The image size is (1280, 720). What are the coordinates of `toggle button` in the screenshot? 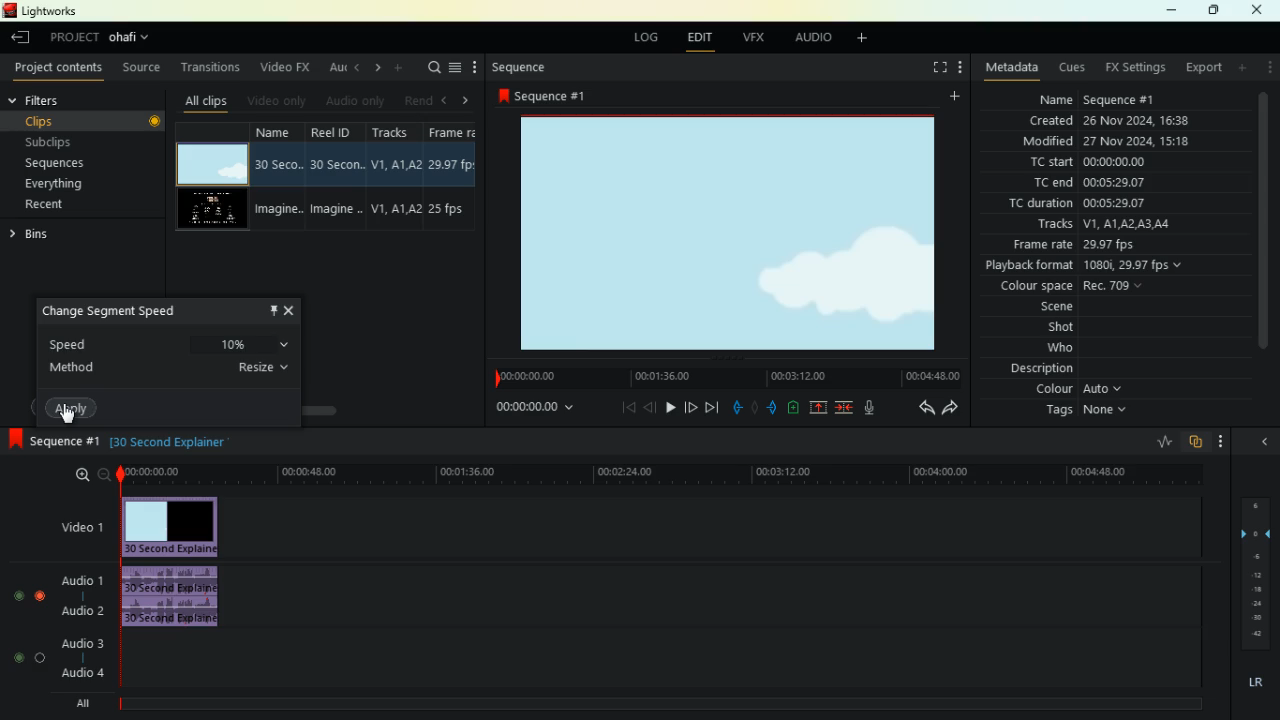 It's located at (31, 631).